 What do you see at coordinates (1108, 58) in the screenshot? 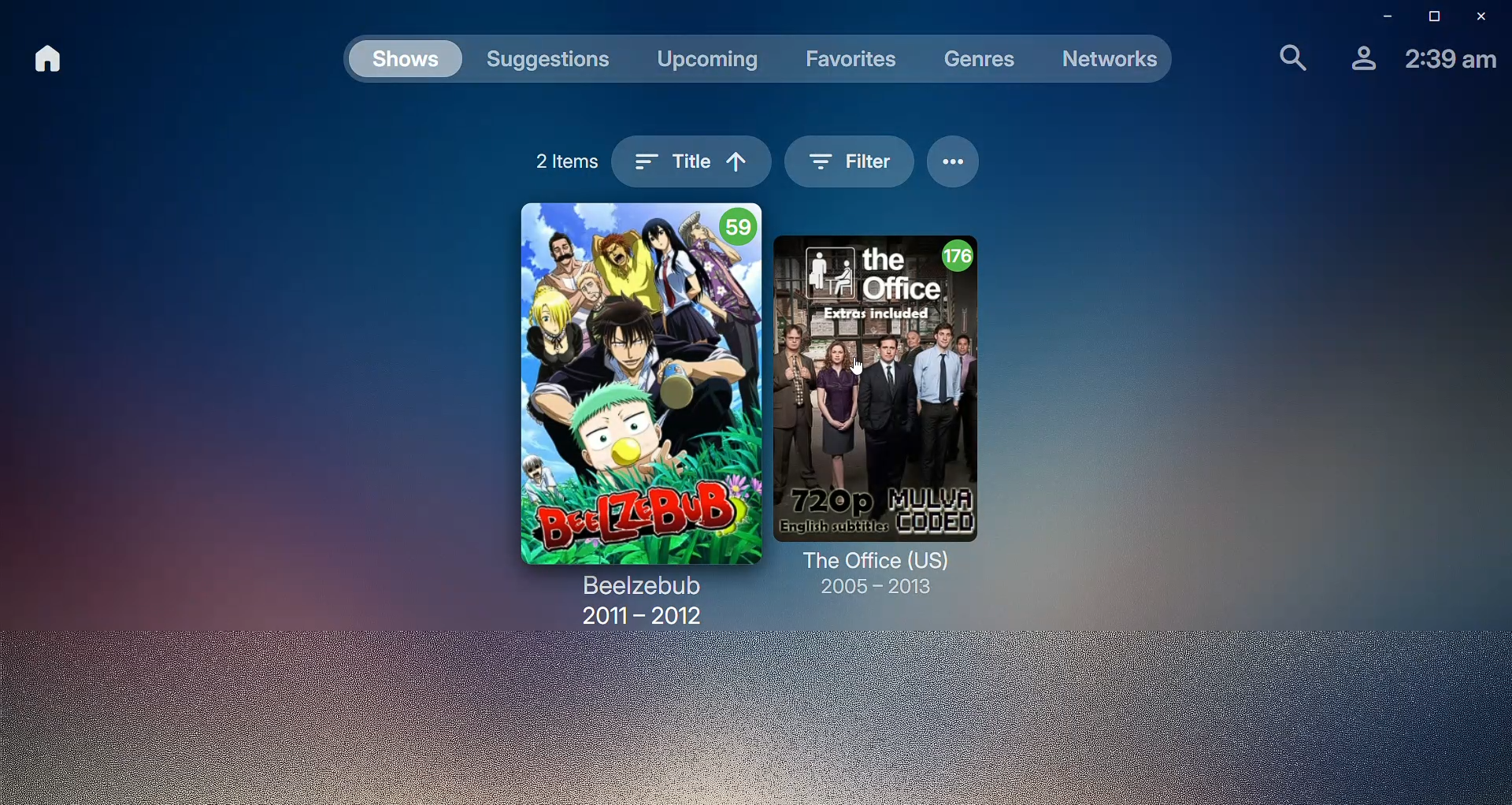
I see `Networks` at bounding box center [1108, 58].